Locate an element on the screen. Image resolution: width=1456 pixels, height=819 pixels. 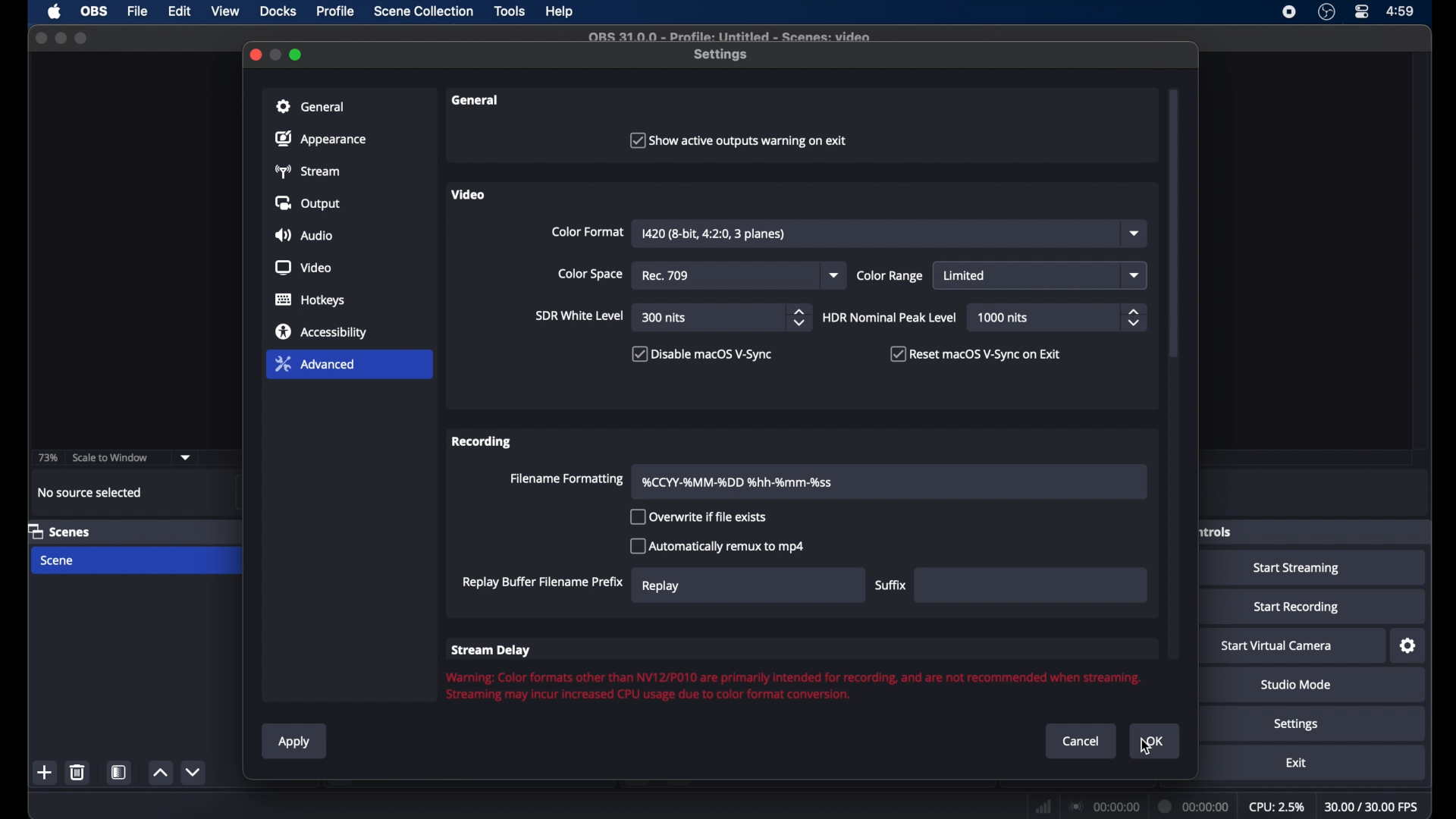
apply is located at coordinates (296, 742).